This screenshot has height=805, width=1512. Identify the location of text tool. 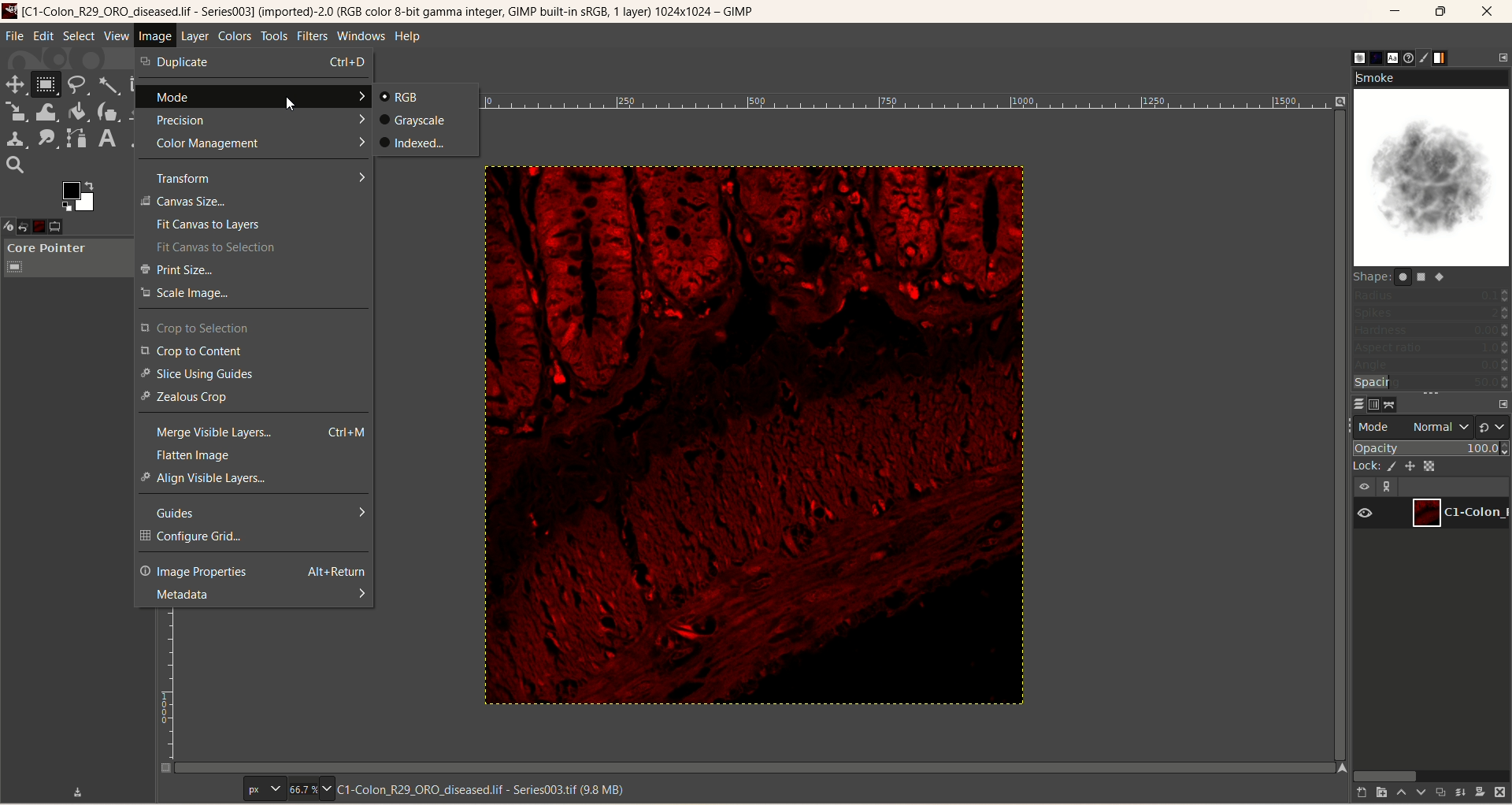
(107, 139).